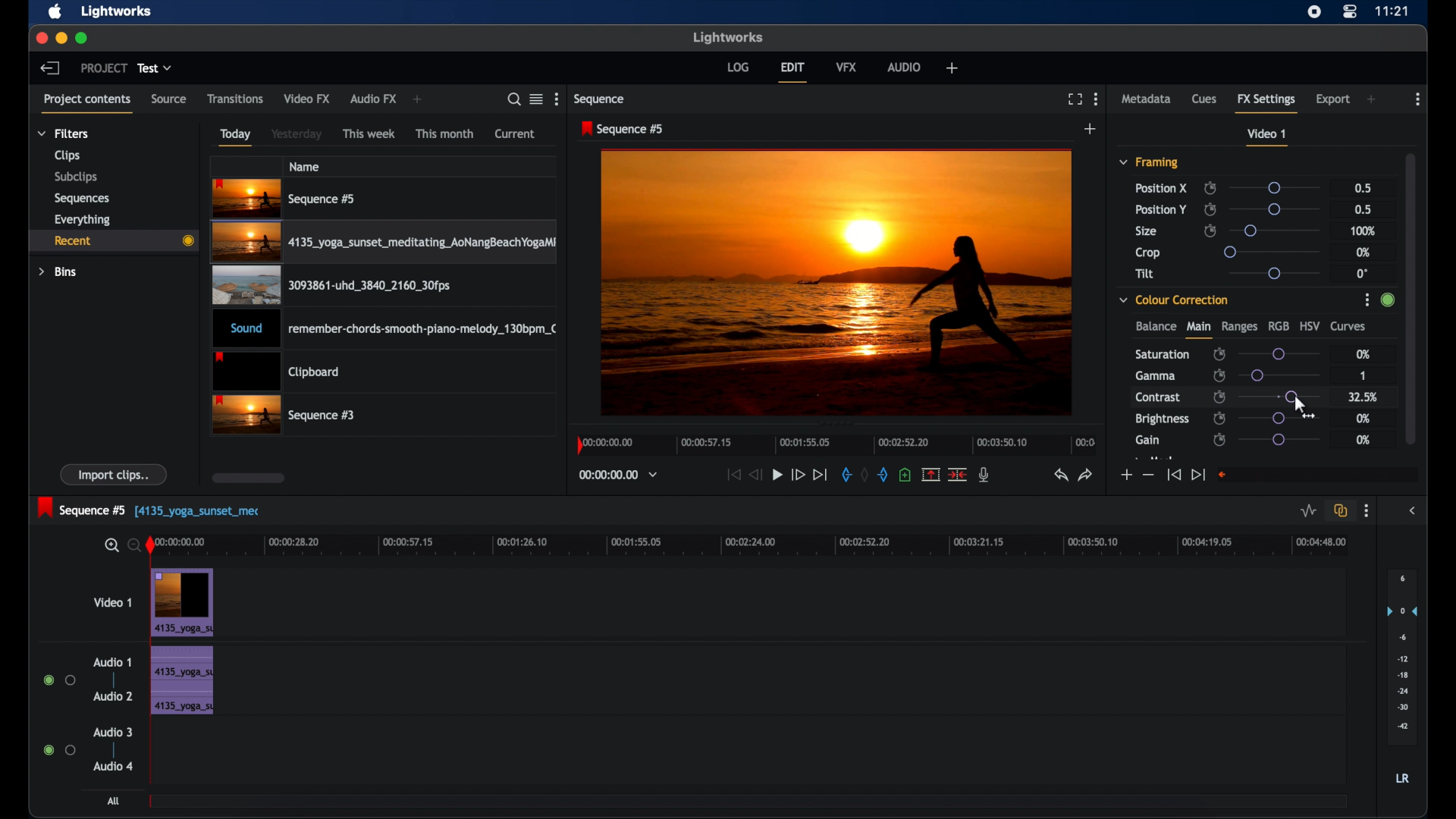 The image size is (1456, 819). Describe the element at coordinates (1148, 253) in the screenshot. I see `crop` at that location.